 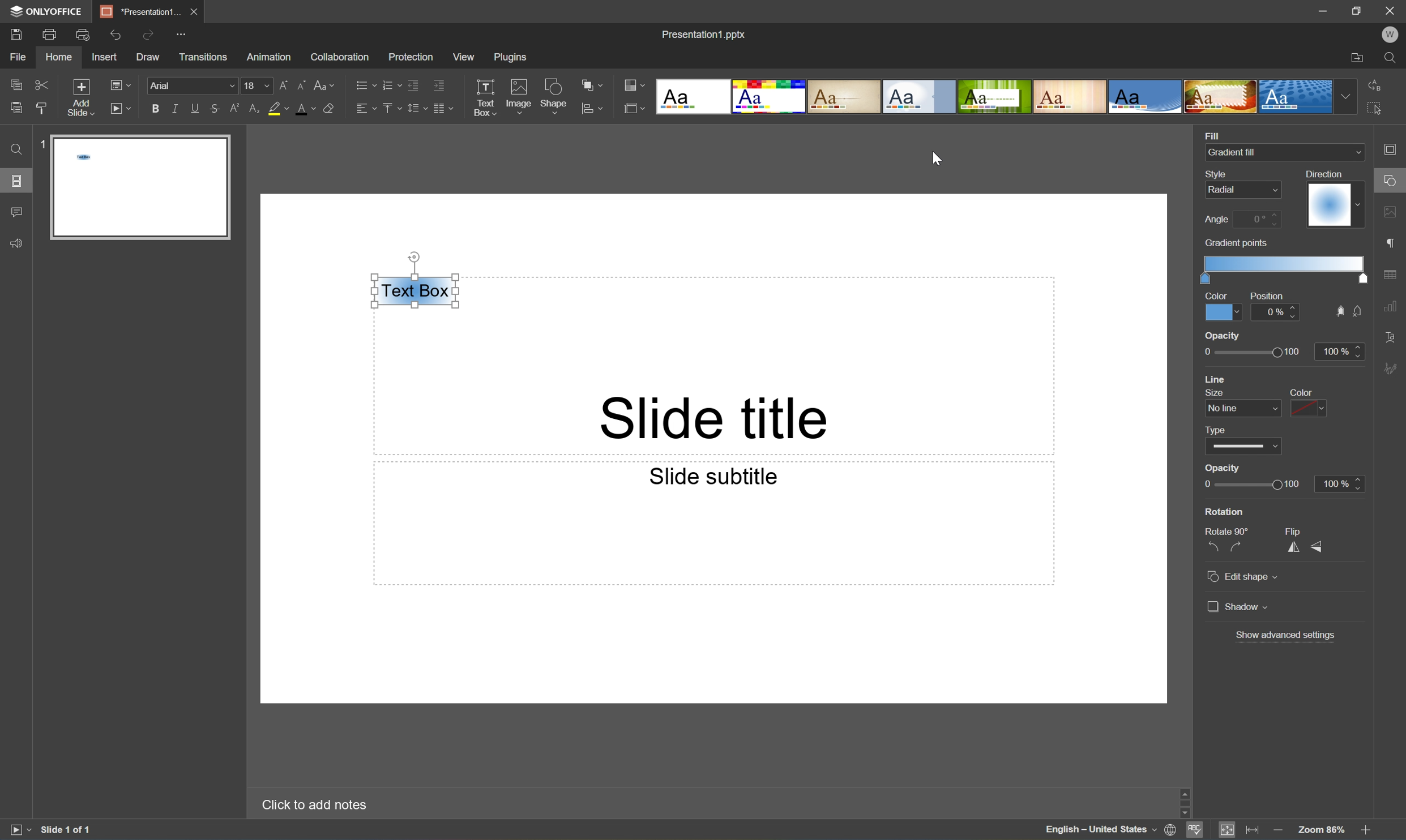 What do you see at coordinates (593, 83) in the screenshot?
I see `Arrange shape` at bounding box center [593, 83].